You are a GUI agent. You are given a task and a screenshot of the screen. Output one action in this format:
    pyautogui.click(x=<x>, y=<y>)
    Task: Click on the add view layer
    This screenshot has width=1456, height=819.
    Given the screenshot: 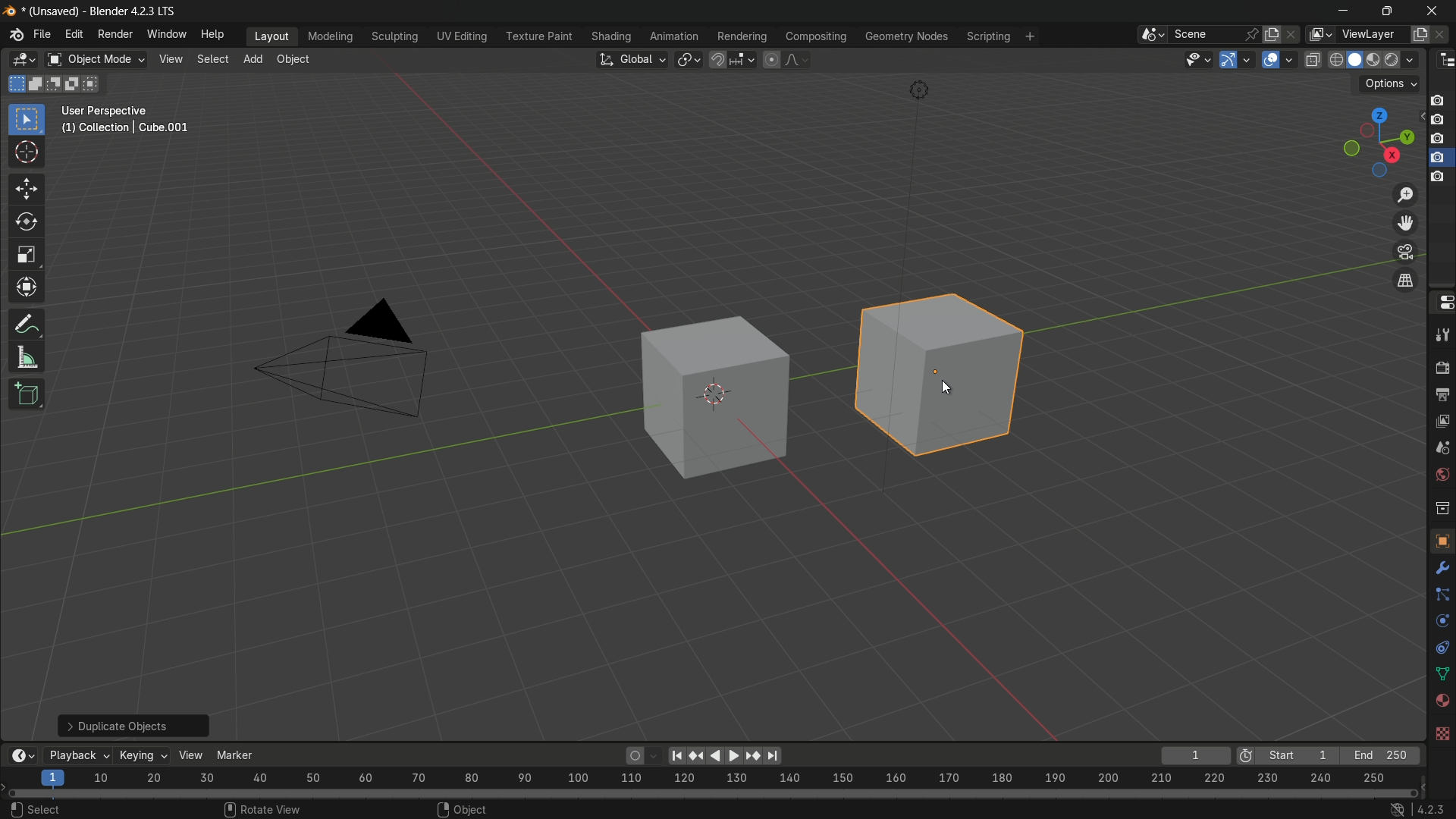 What is the action you would take?
    pyautogui.click(x=1421, y=33)
    